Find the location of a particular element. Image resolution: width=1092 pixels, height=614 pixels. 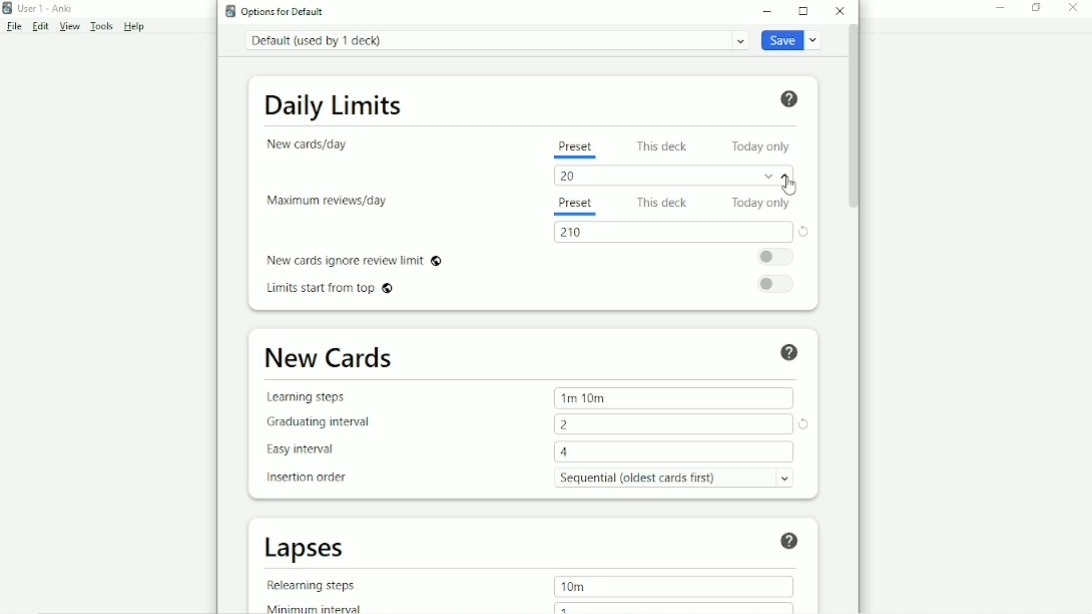

Close is located at coordinates (838, 11).